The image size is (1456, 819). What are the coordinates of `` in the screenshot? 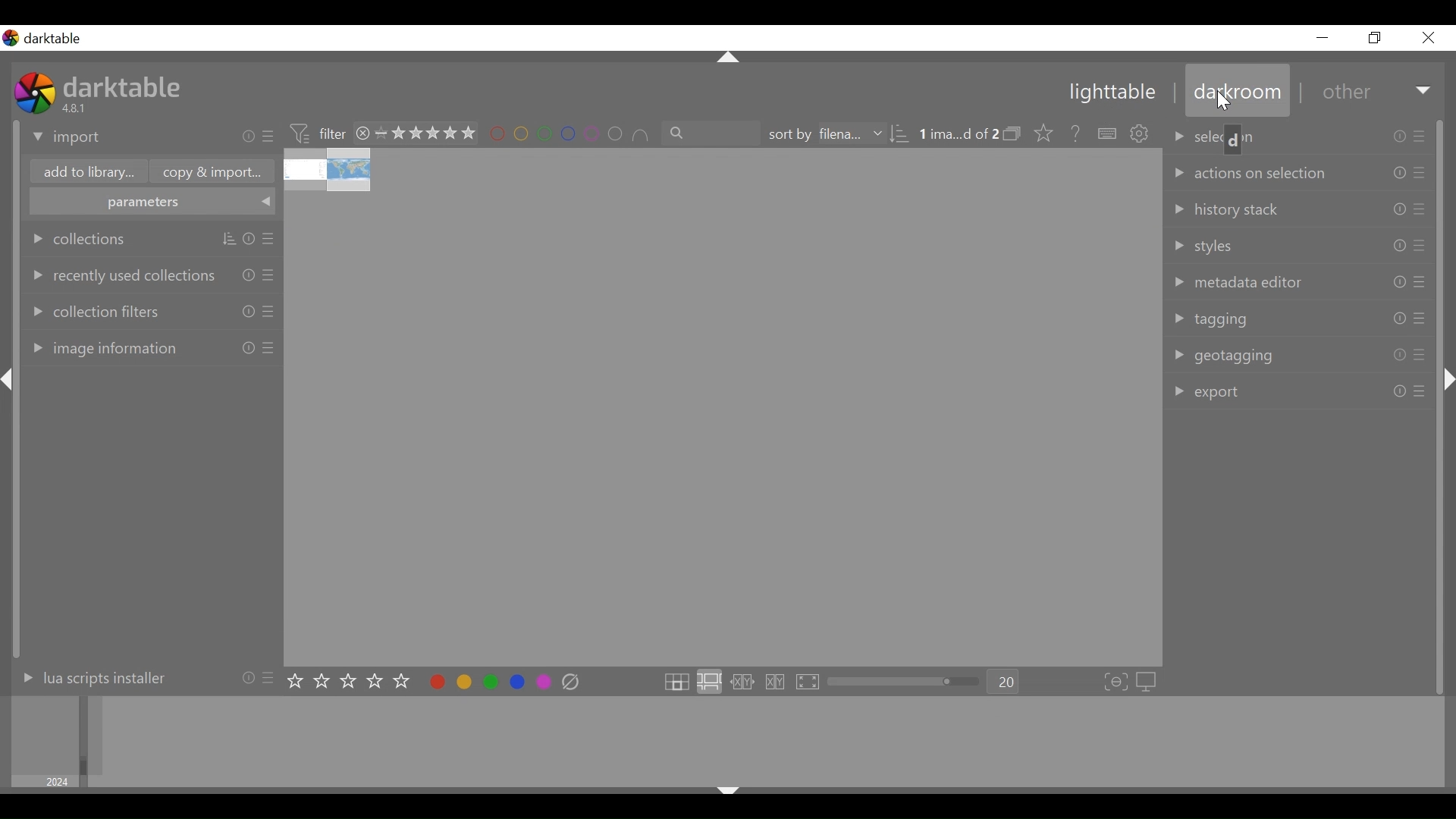 It's located at (1396, 247).